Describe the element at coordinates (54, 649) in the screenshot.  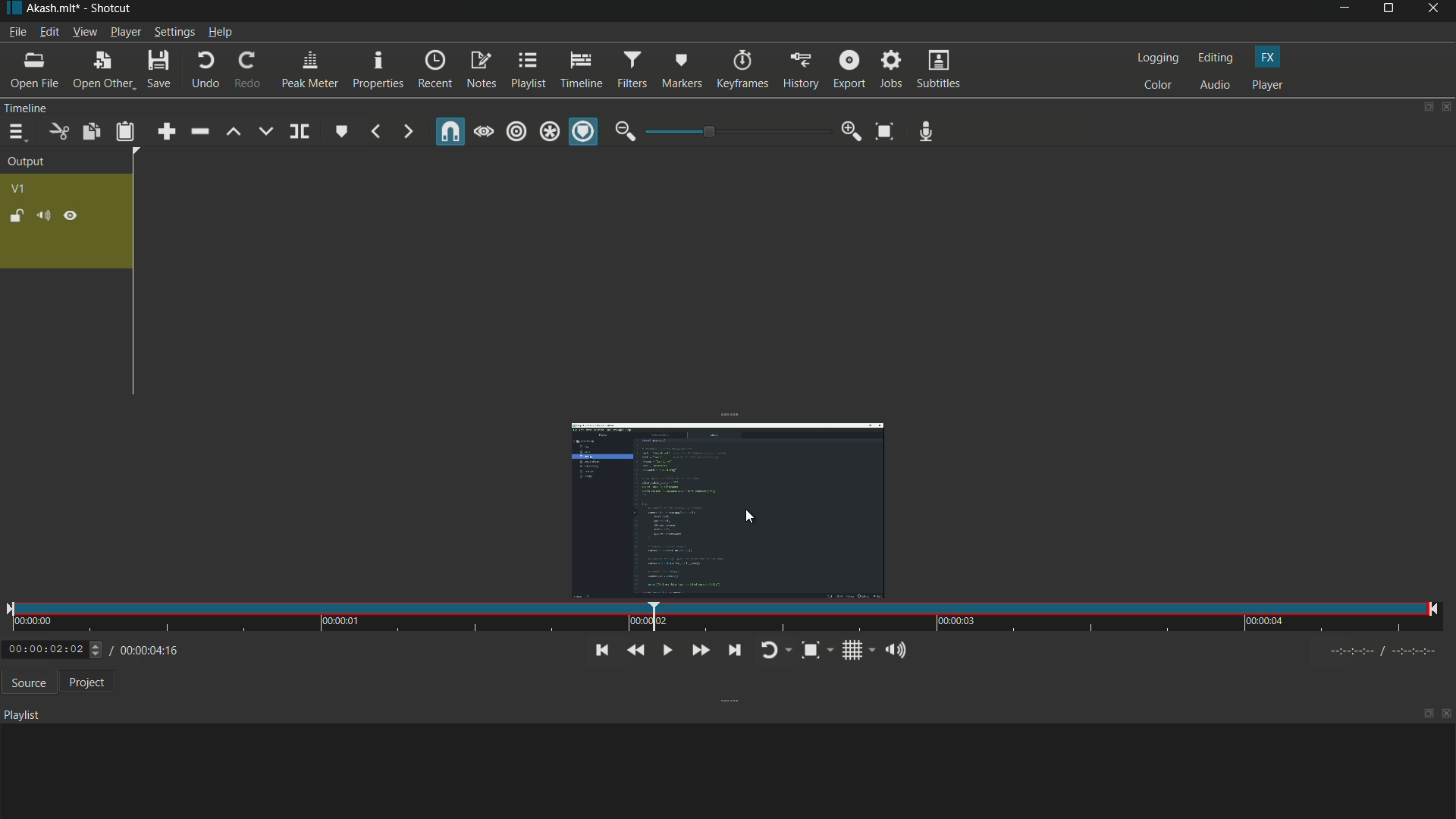
I see `0:00:02:02 ` at that location.